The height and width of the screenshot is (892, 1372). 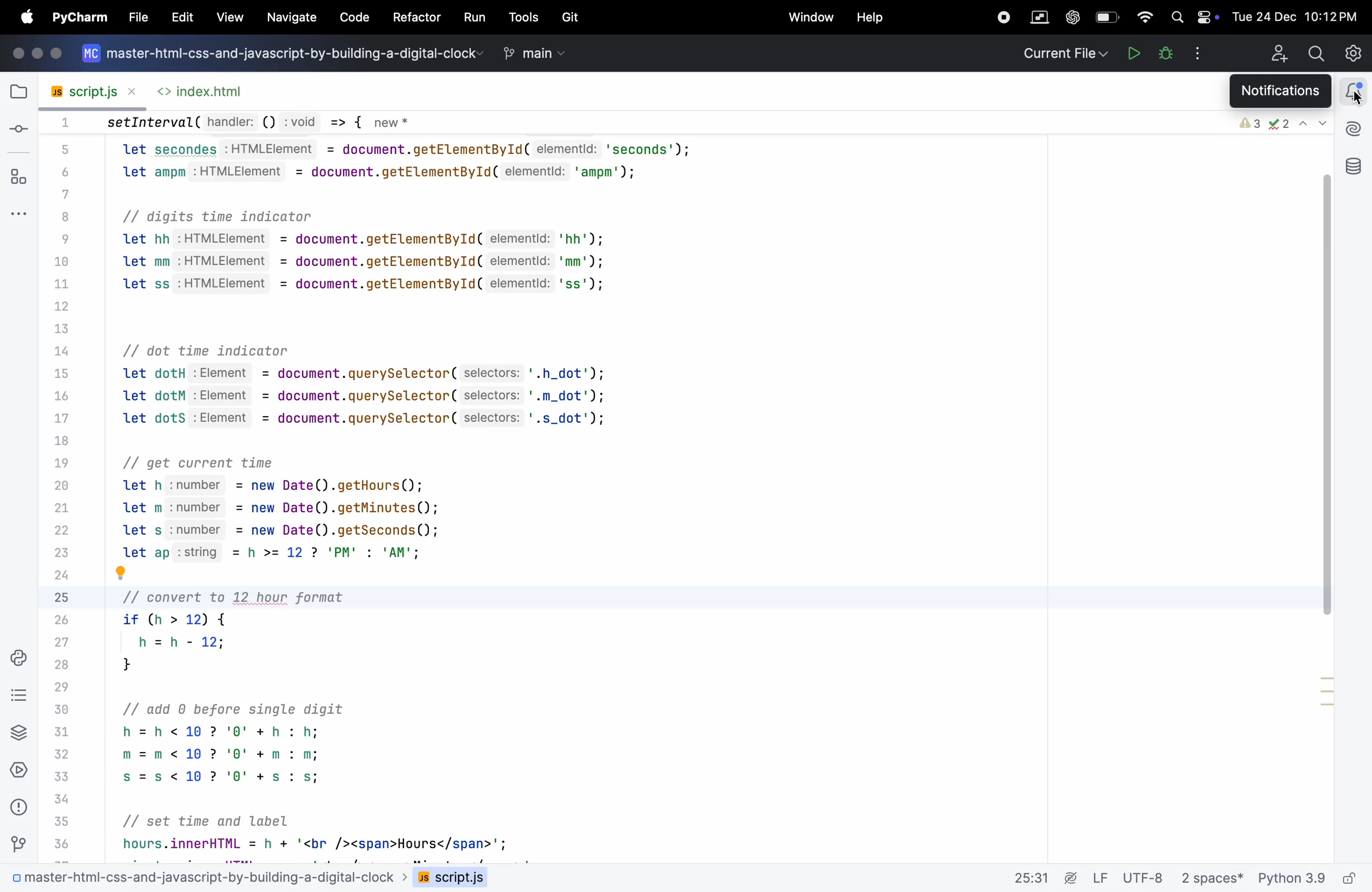 What do you see at coordinates (89, 56) in the screenshot?
I see `logo` at bounding box center [89, 56].